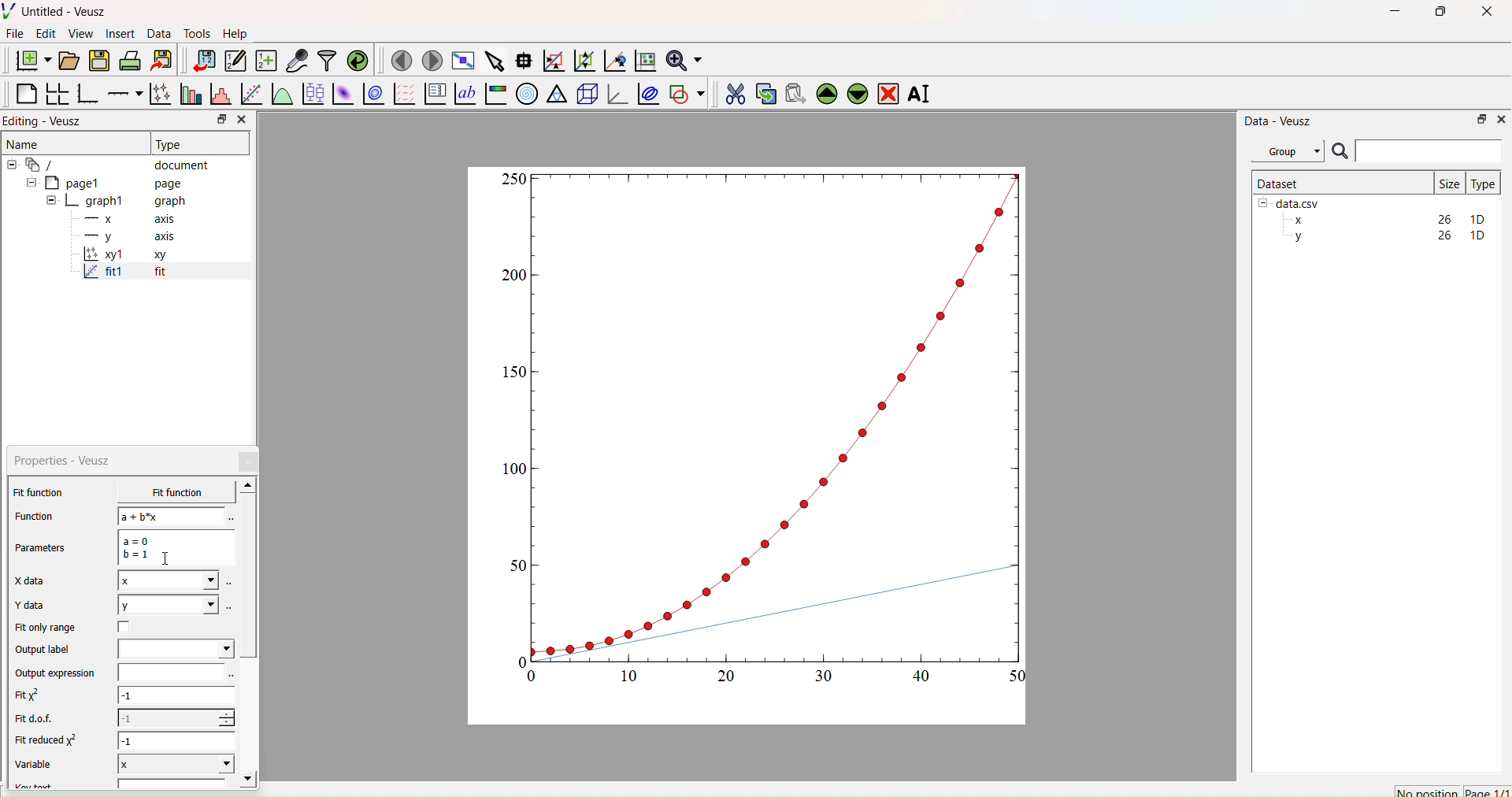 Image resolution: width=1512 pixels, height=797 pixels. Describe the element at coordinates (643, 60) in the screenshot. I see `Reset graph axis` at that location.